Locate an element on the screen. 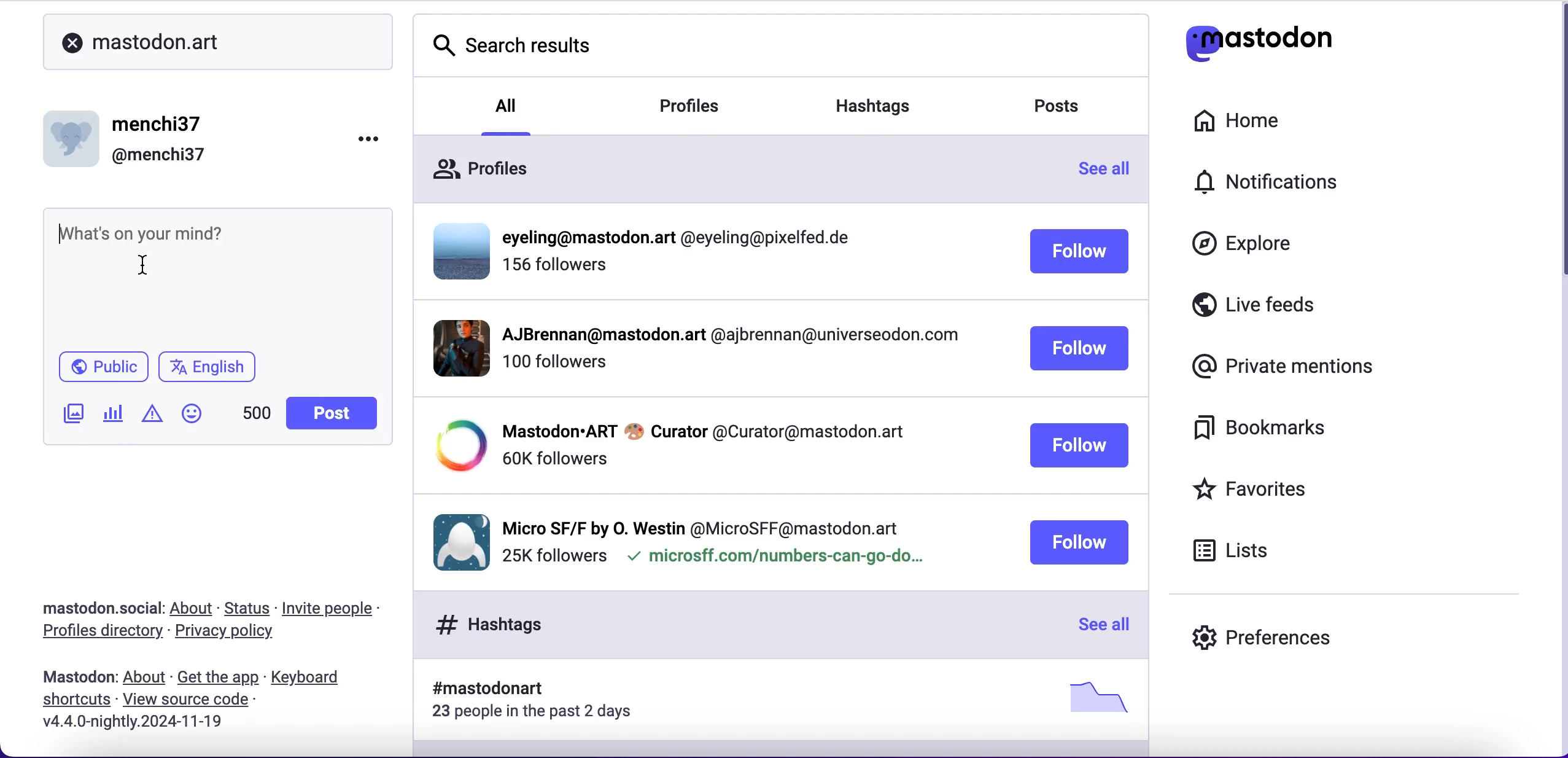  typing cursor is located at coordinates (65, 236).